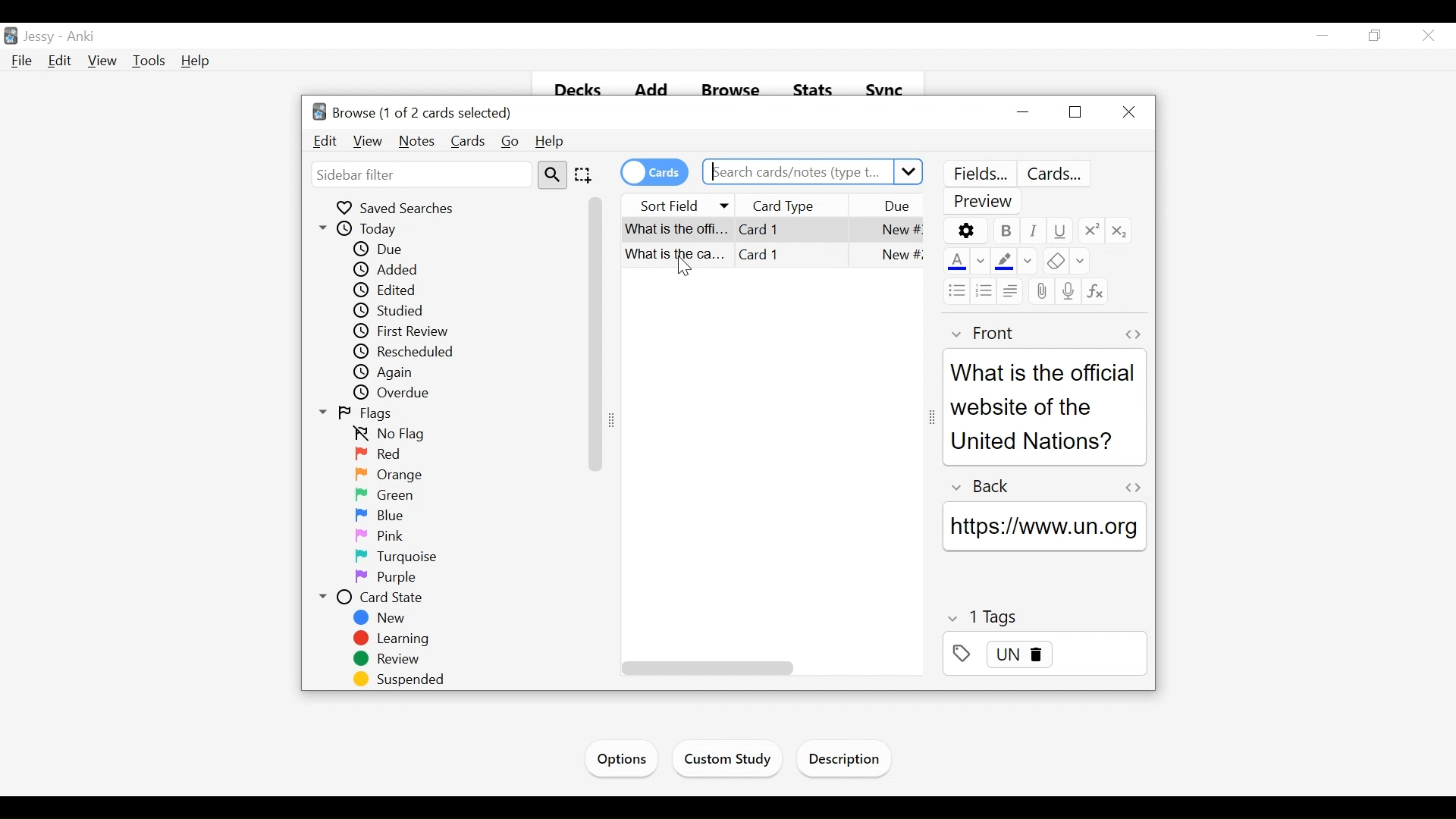 This screenshot has width=1456, height=819. I want to click on Card, so click(773, 258).